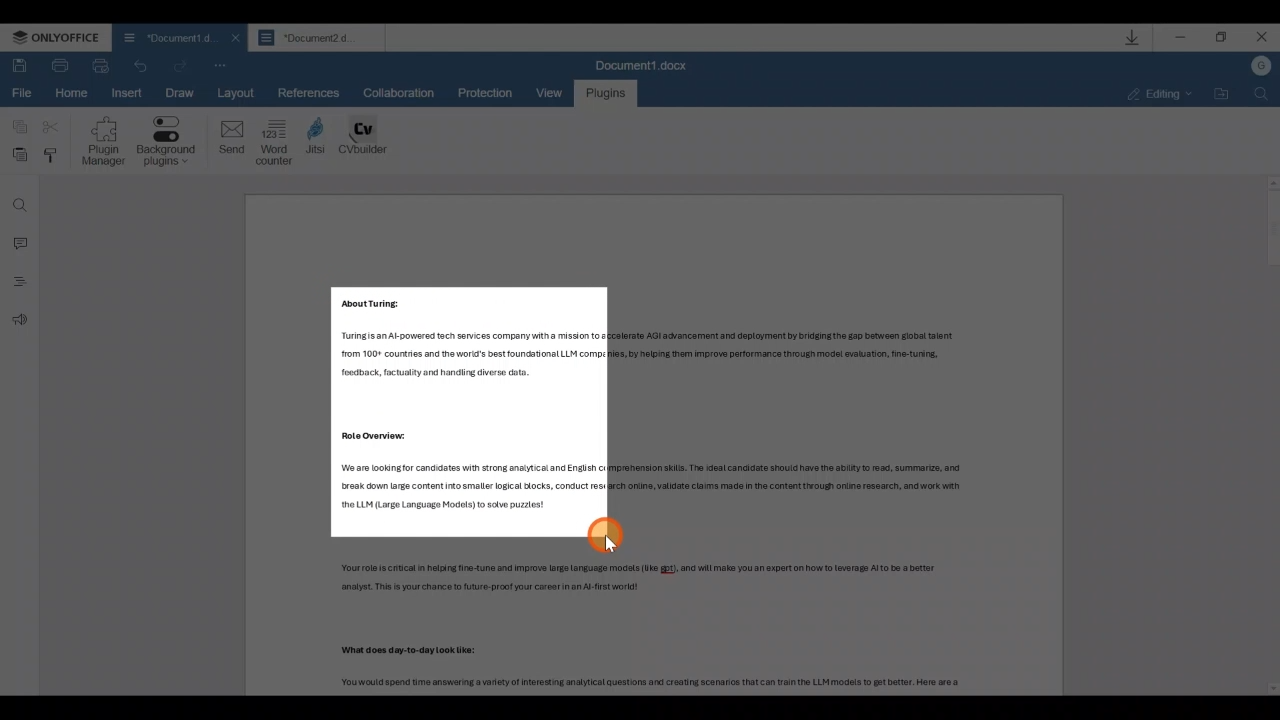 The height and width of the screenshot is (720, 1280). I want to click on Feedback & support, so click(18, 323).